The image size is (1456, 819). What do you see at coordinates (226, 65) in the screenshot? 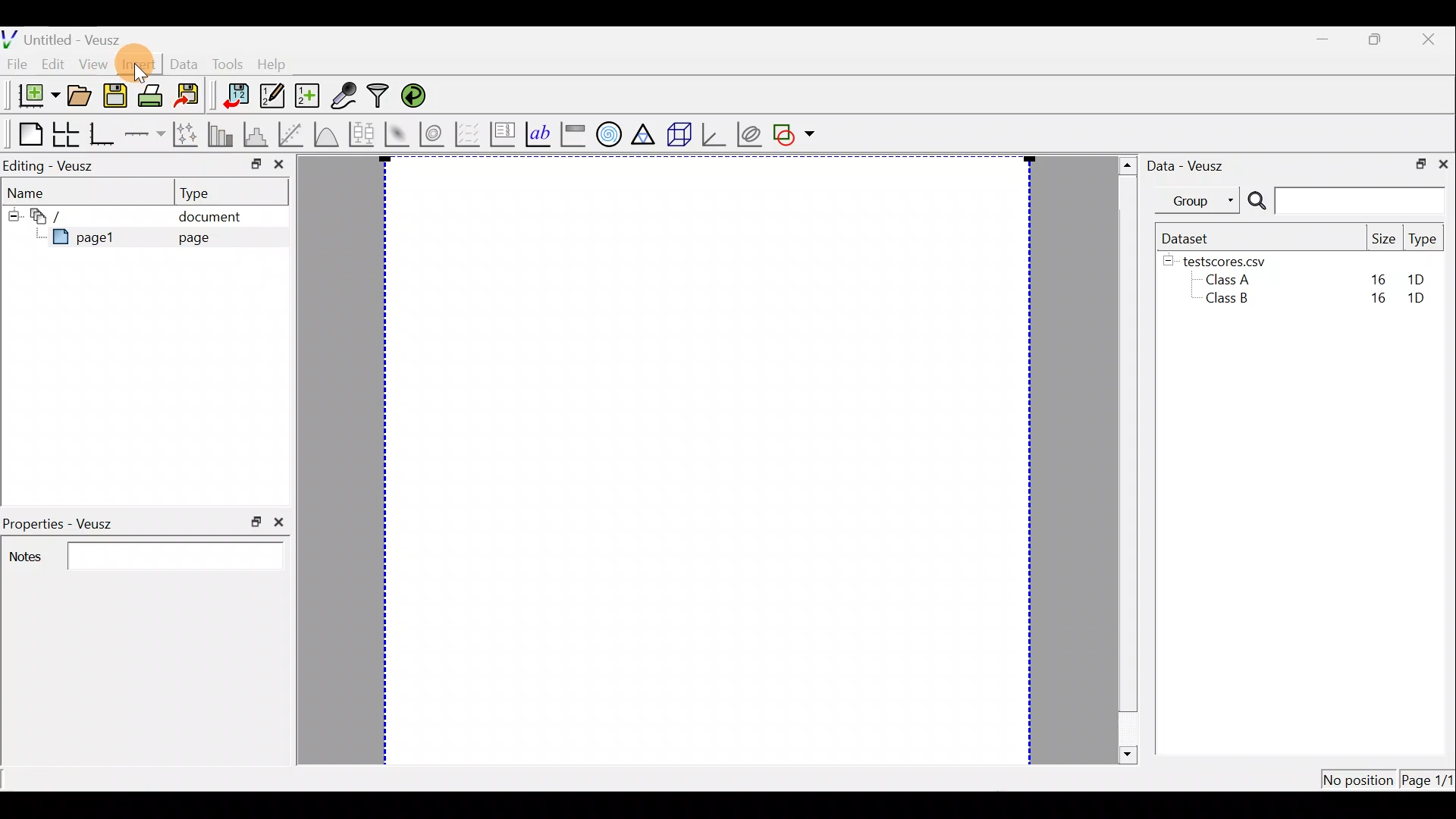
I see `Tools` at bounding box center [226, 65].